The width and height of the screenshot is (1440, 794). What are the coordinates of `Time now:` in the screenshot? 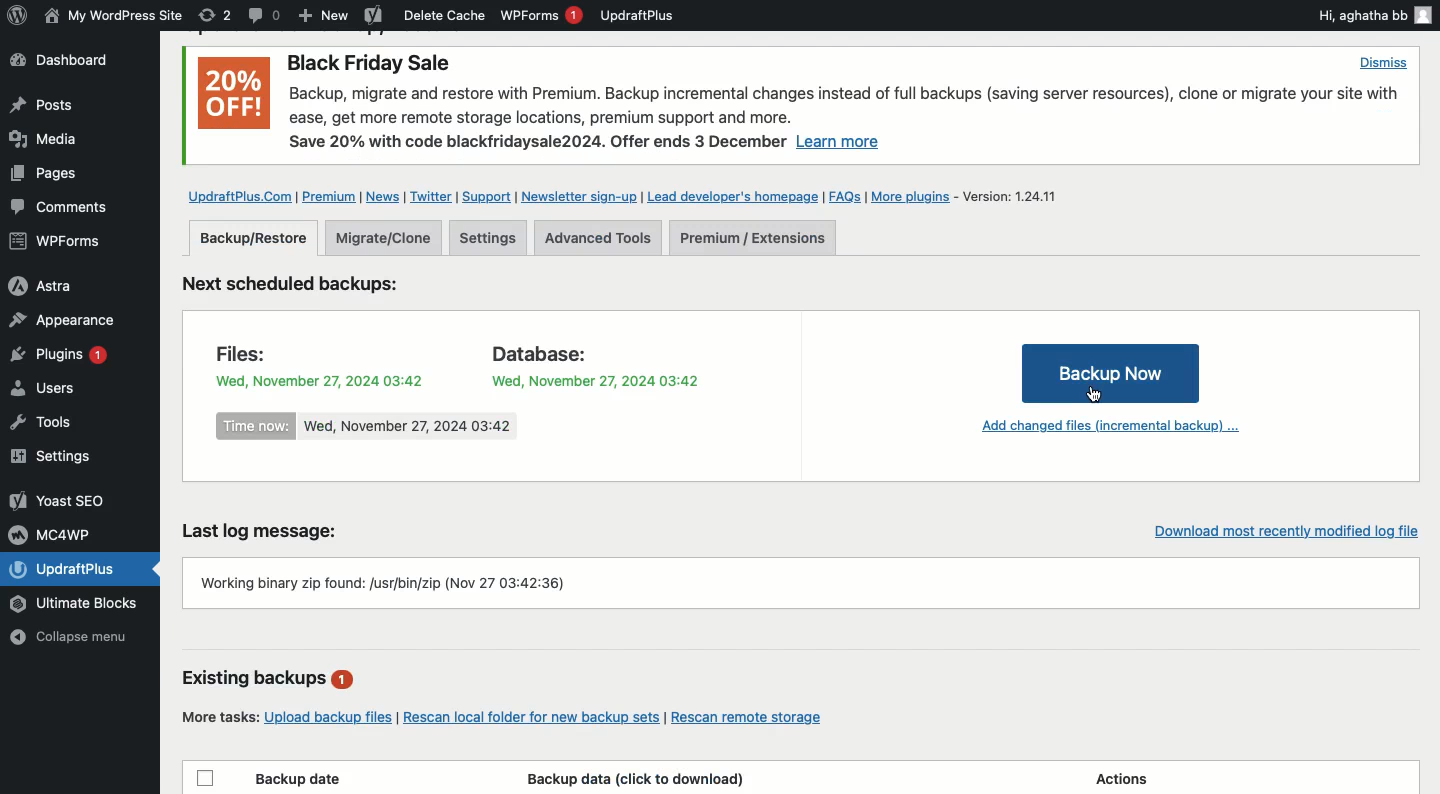 It's located at (257, 426).